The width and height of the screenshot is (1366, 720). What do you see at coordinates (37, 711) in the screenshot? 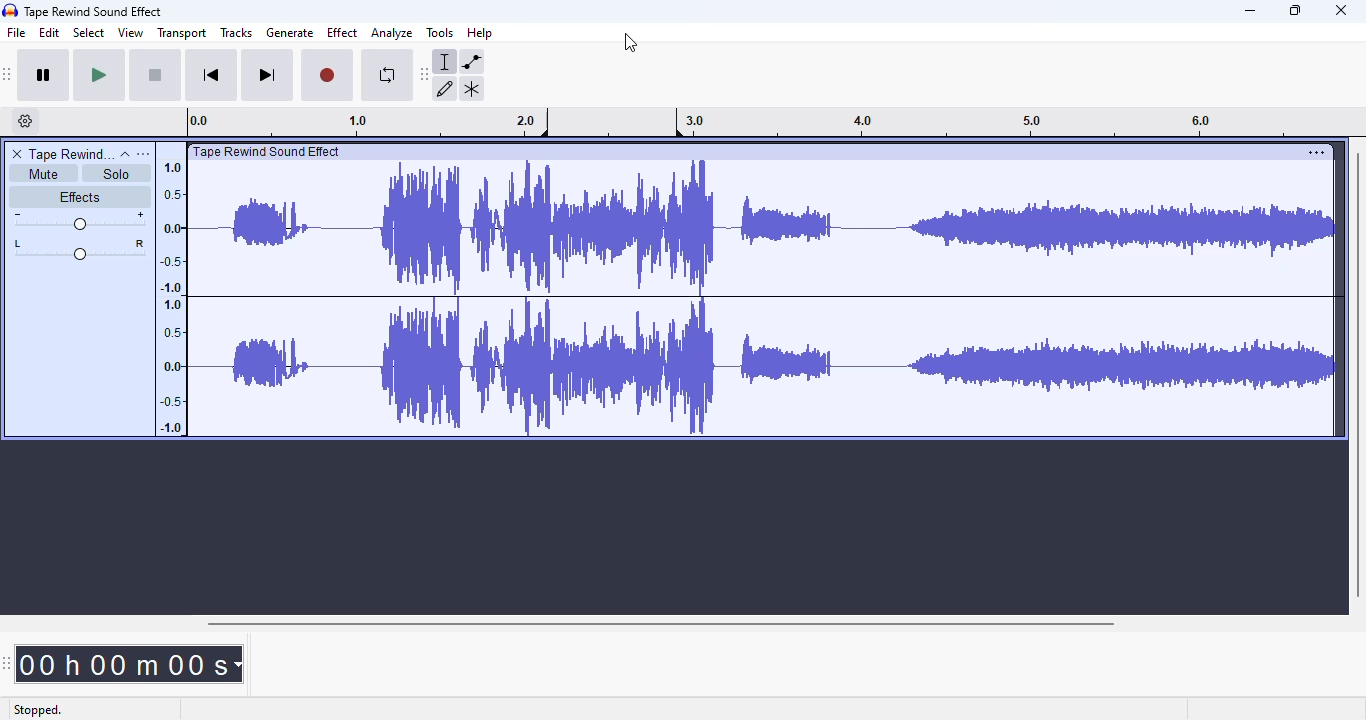
I see `stopped` at bounding box center [37, 711].